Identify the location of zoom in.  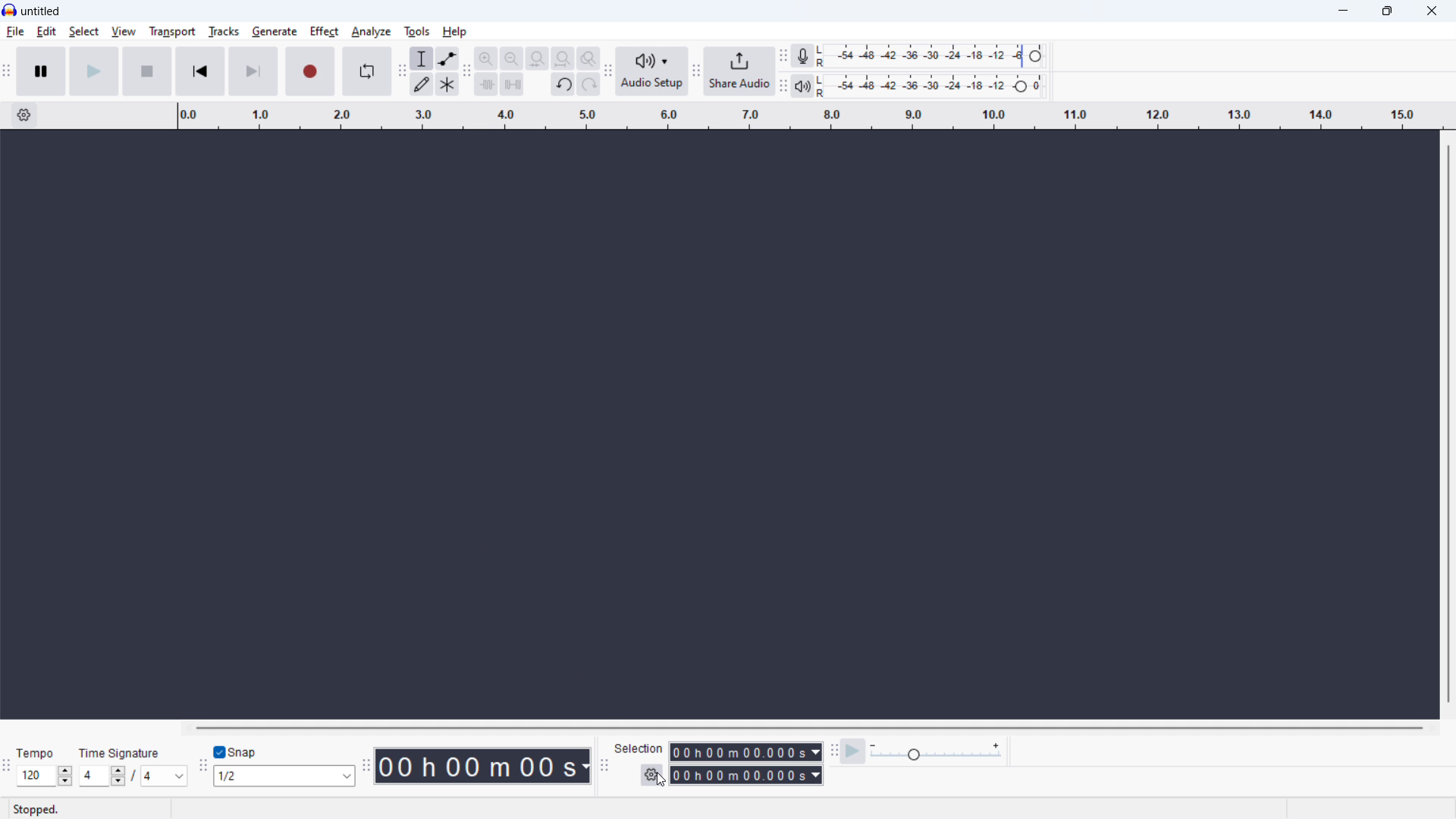
(487, 58).